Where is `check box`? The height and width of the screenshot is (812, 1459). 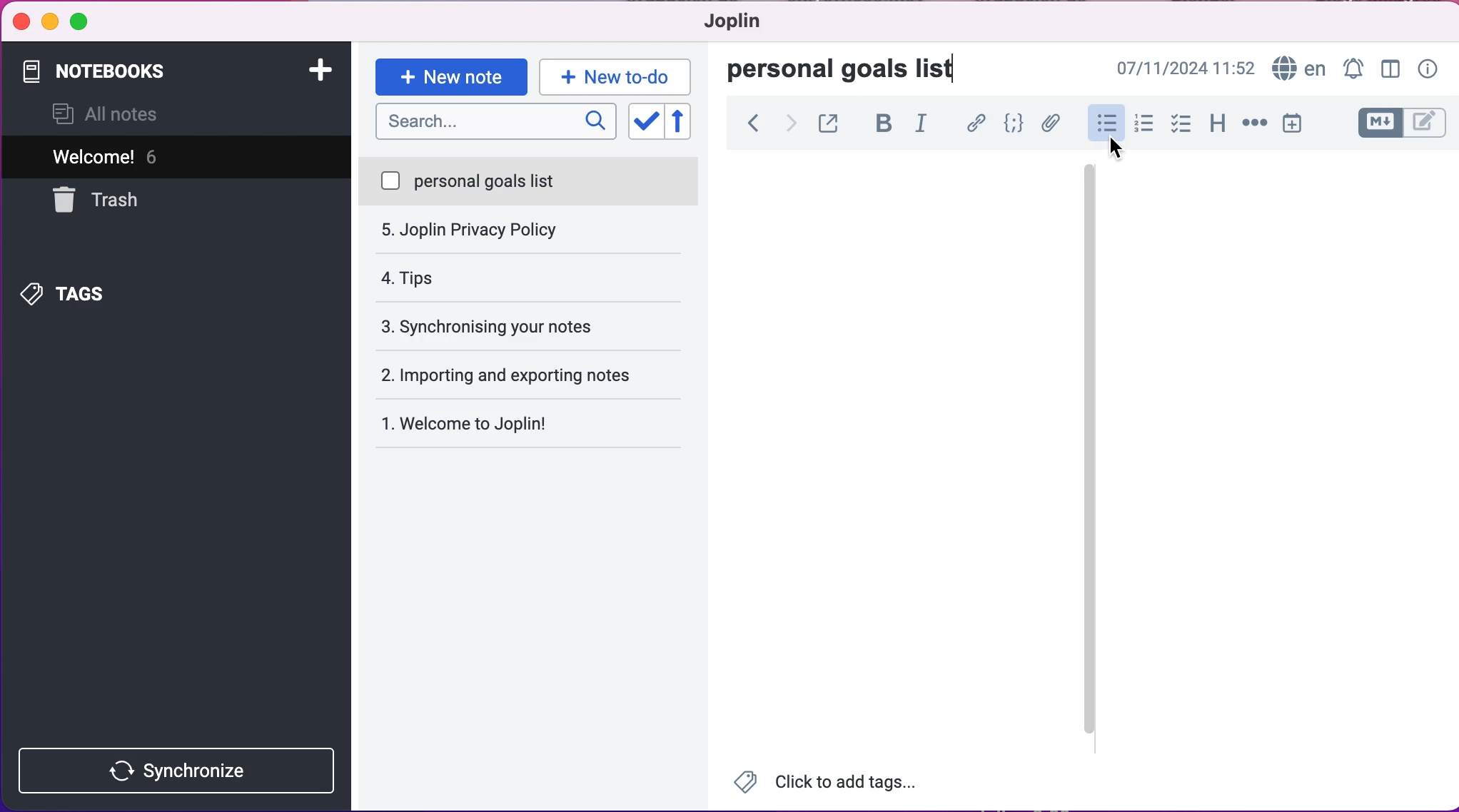
check box is located at coordinates (1181, 128).